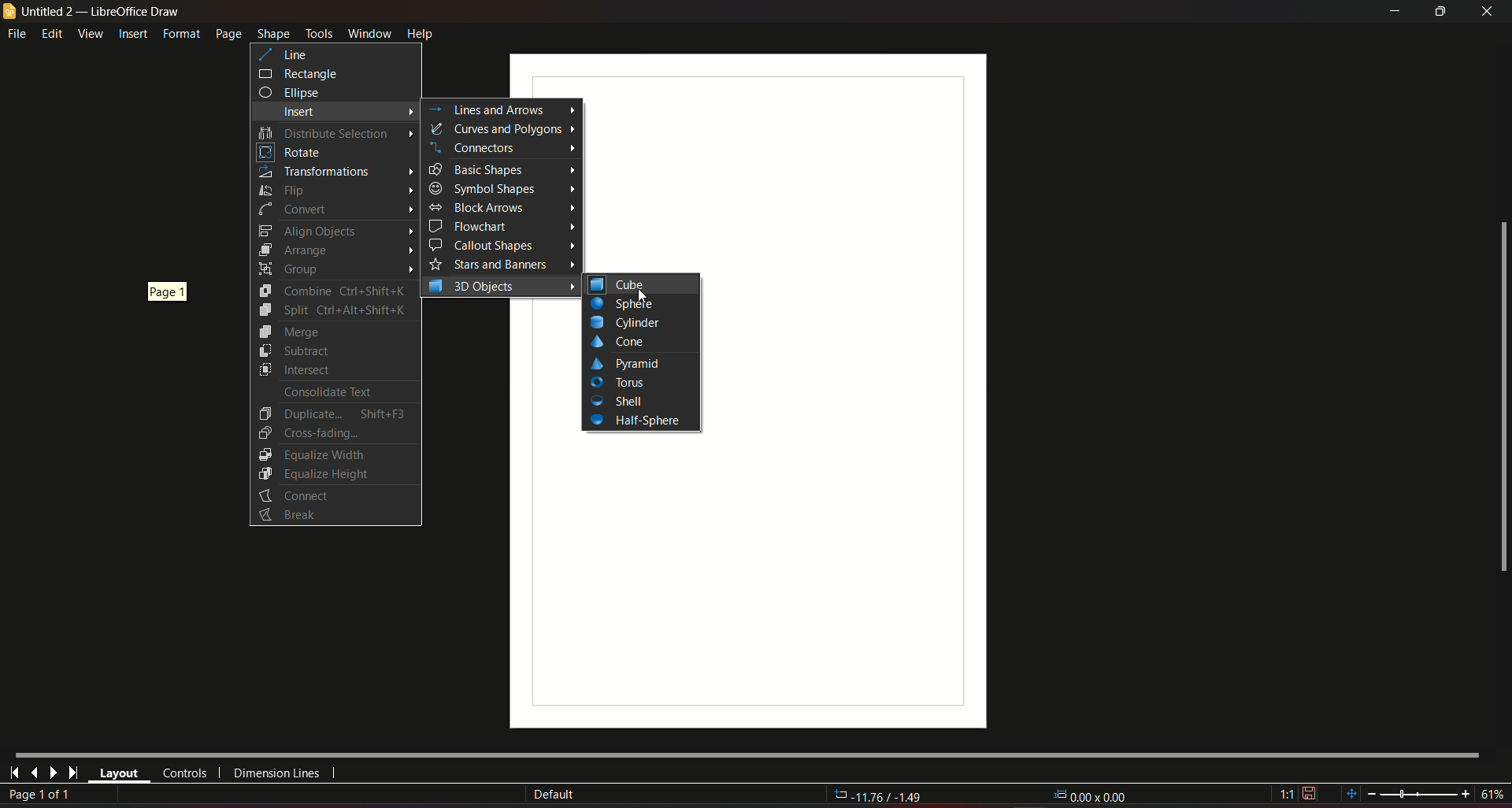  Describe the element at coordinates (332, 413) in the screenshot. I see `Duplicate` at that location.